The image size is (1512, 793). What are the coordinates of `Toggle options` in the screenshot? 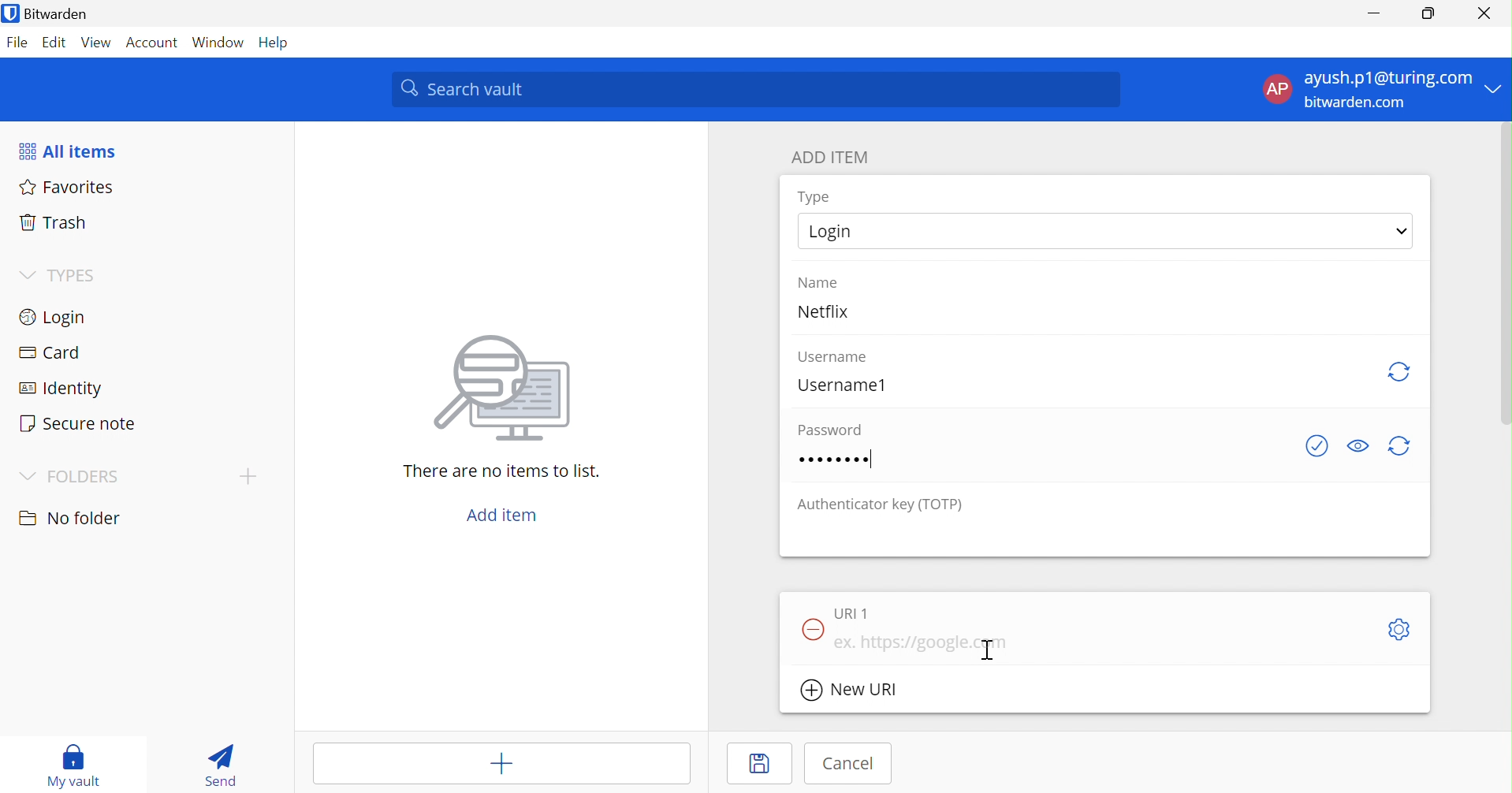 It's located at (1401, 629).